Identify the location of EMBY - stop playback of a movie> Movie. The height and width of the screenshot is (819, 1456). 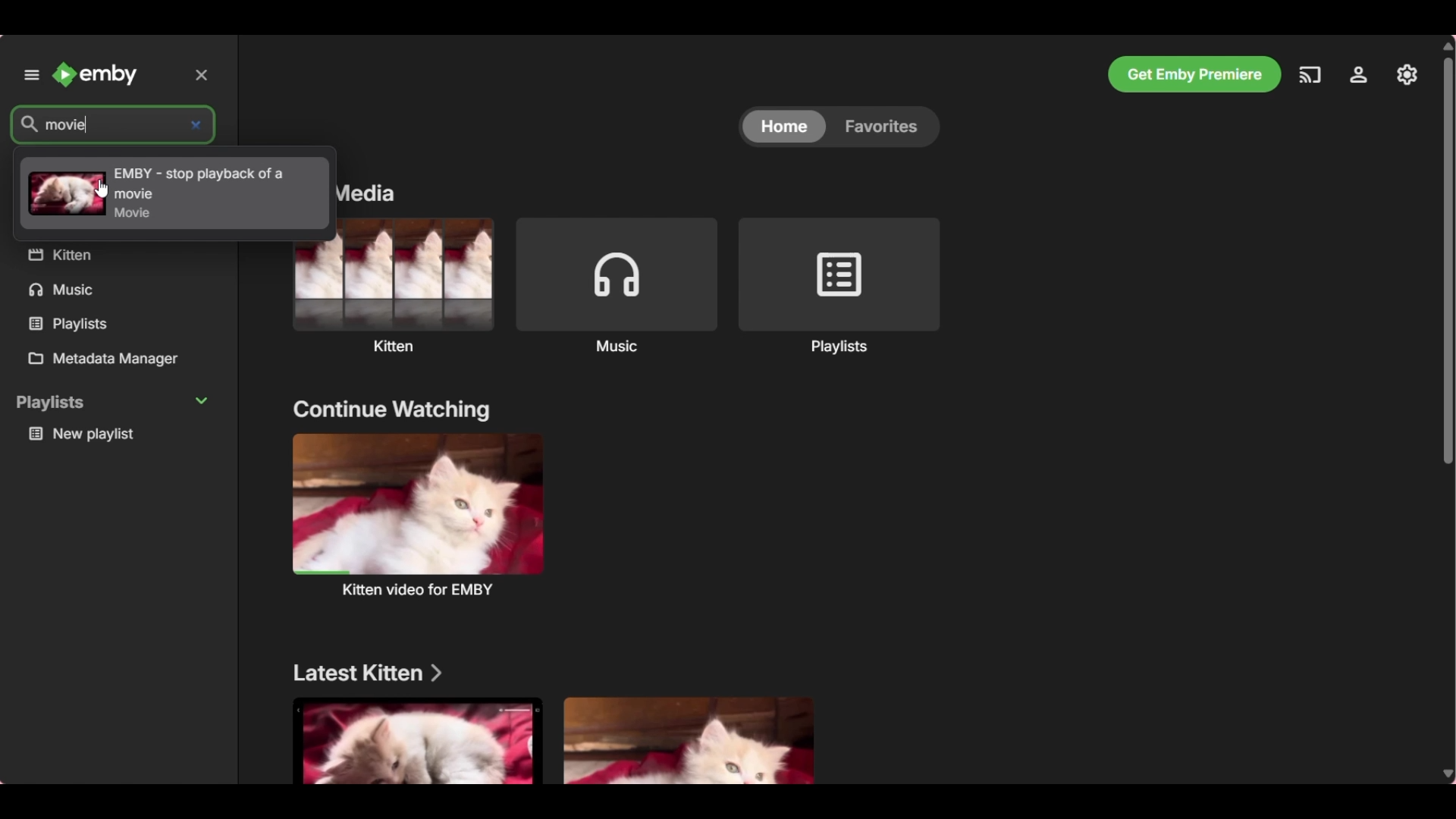
(152, 189).